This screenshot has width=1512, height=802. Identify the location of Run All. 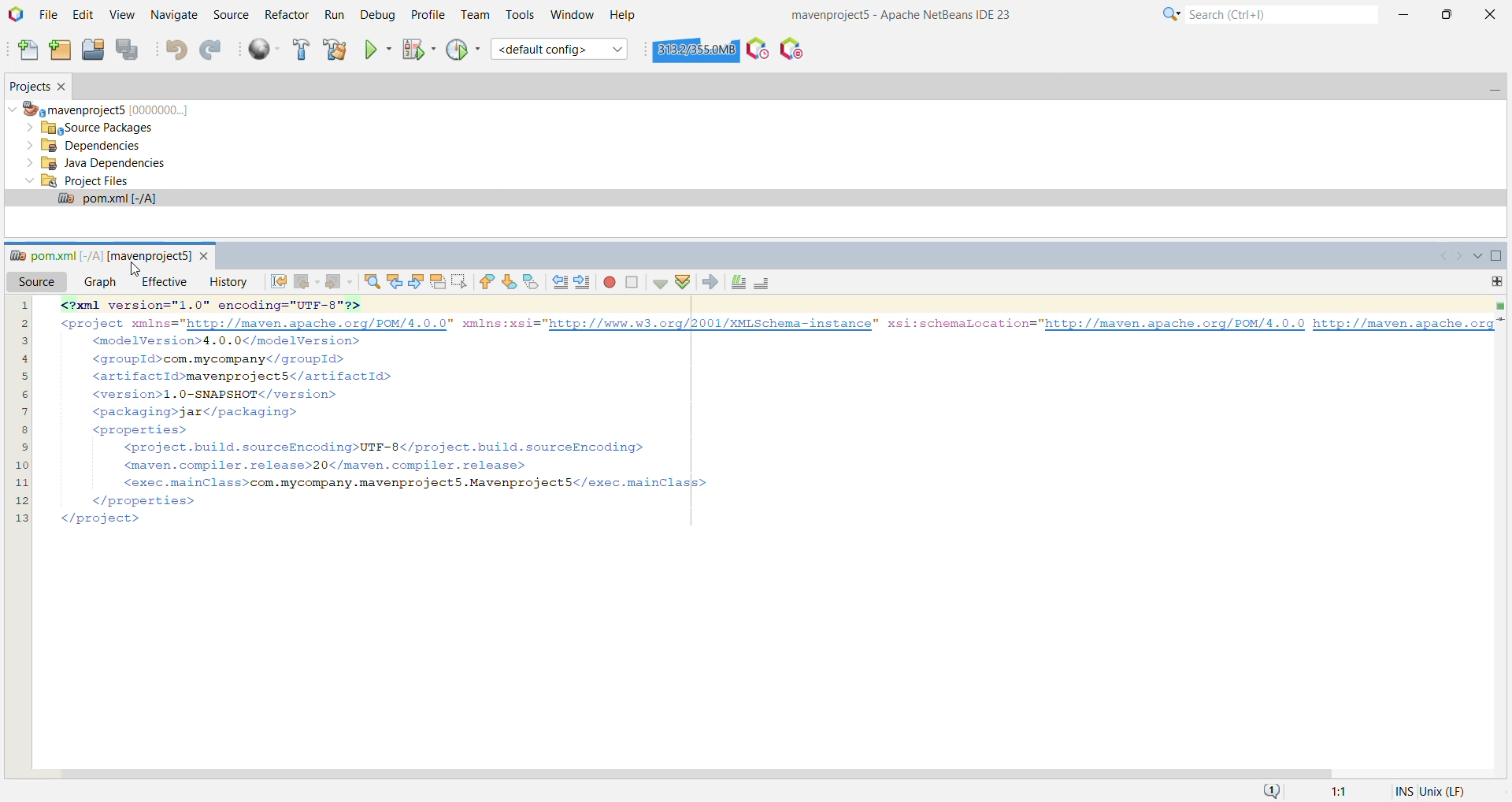
(265, 50).